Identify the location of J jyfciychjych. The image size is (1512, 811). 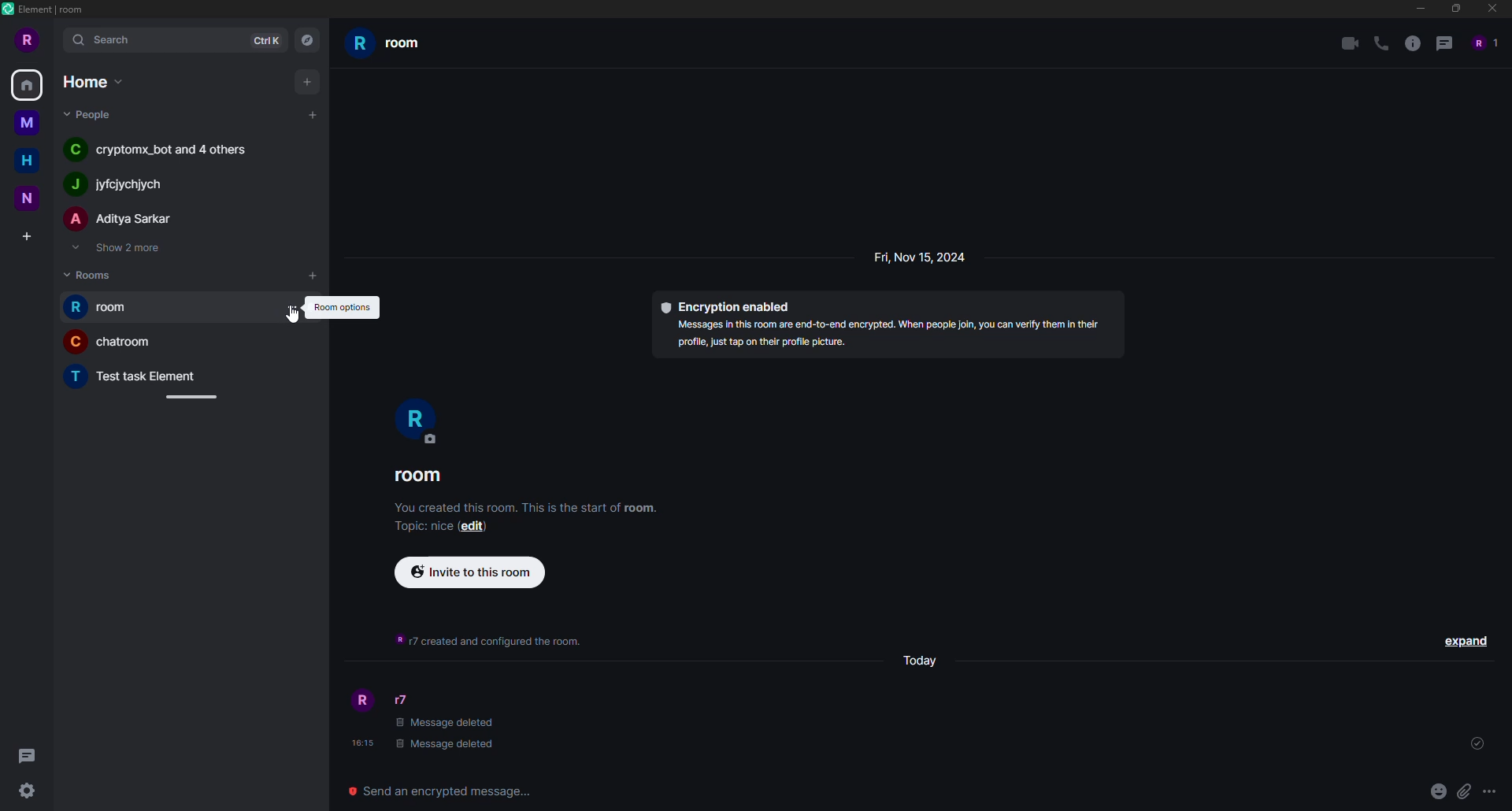
(125, 181).